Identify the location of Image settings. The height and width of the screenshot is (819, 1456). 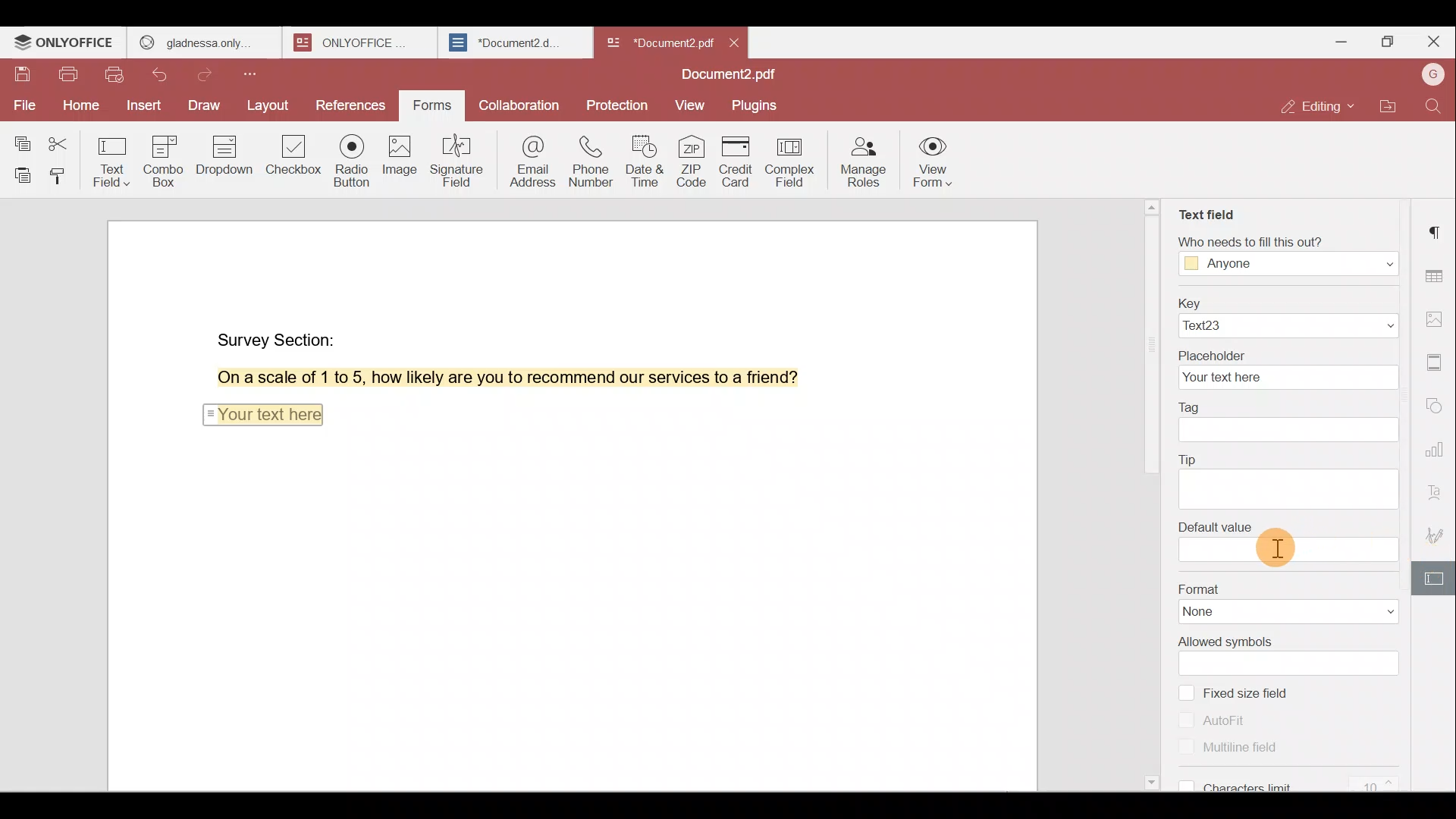
(1439, 322).